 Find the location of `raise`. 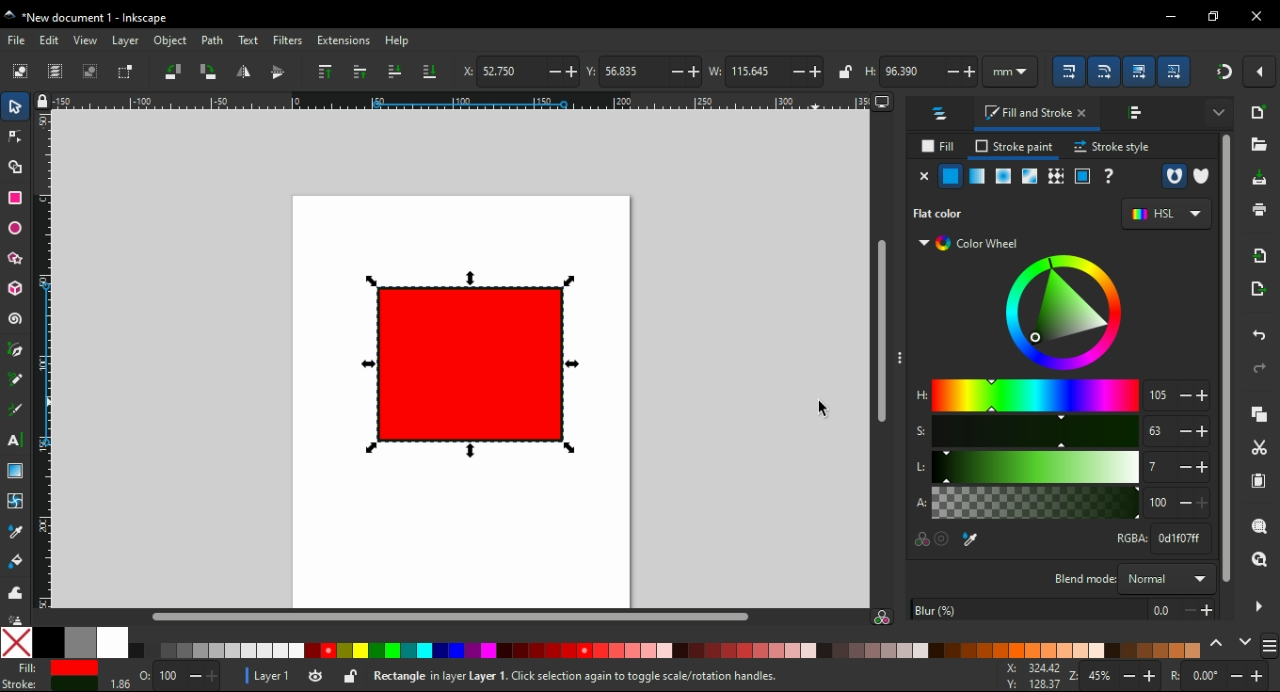

raise is located at coordinates (360, 72).